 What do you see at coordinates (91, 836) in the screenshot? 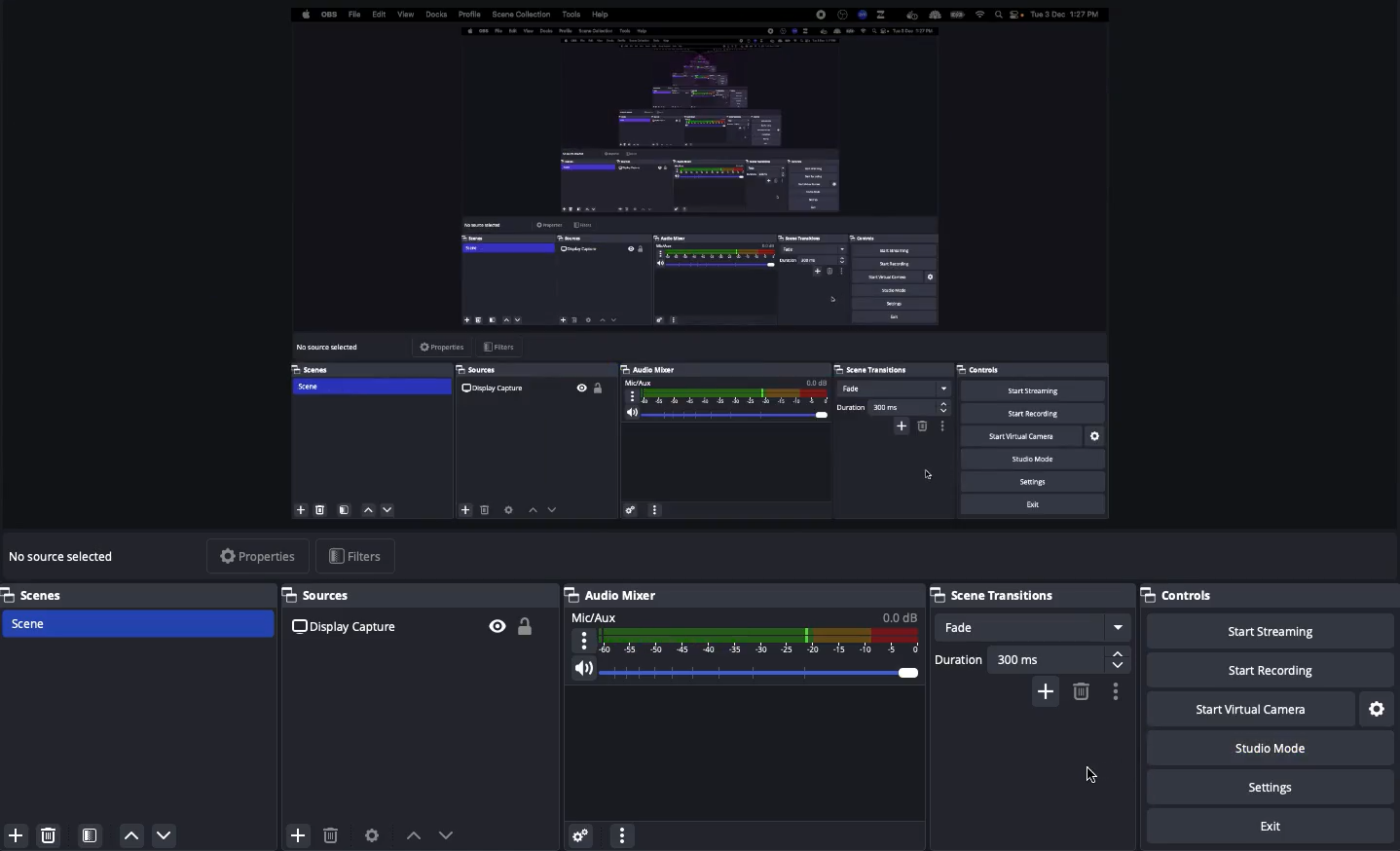
I see `Scene filter` at bounding box center [91, 836].